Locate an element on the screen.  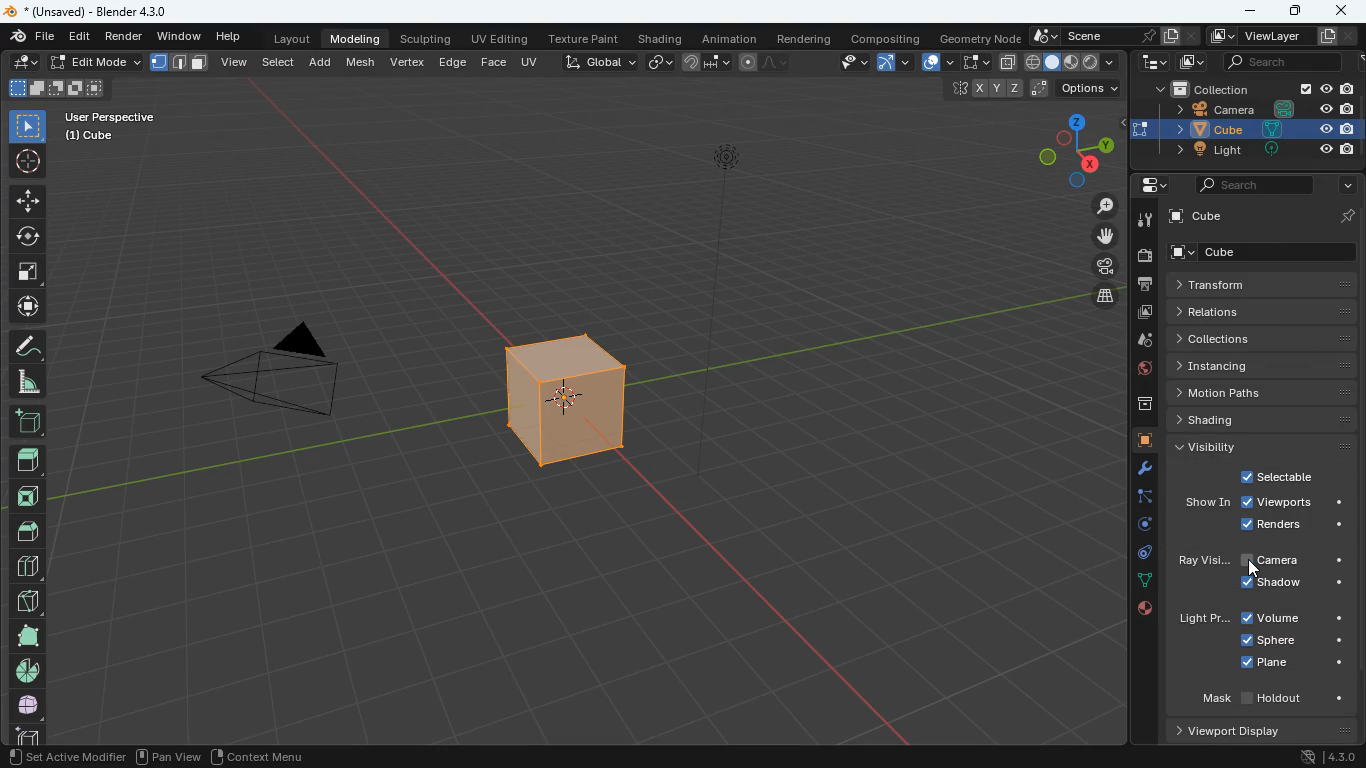
mask is located at coordinates (1271, 697).